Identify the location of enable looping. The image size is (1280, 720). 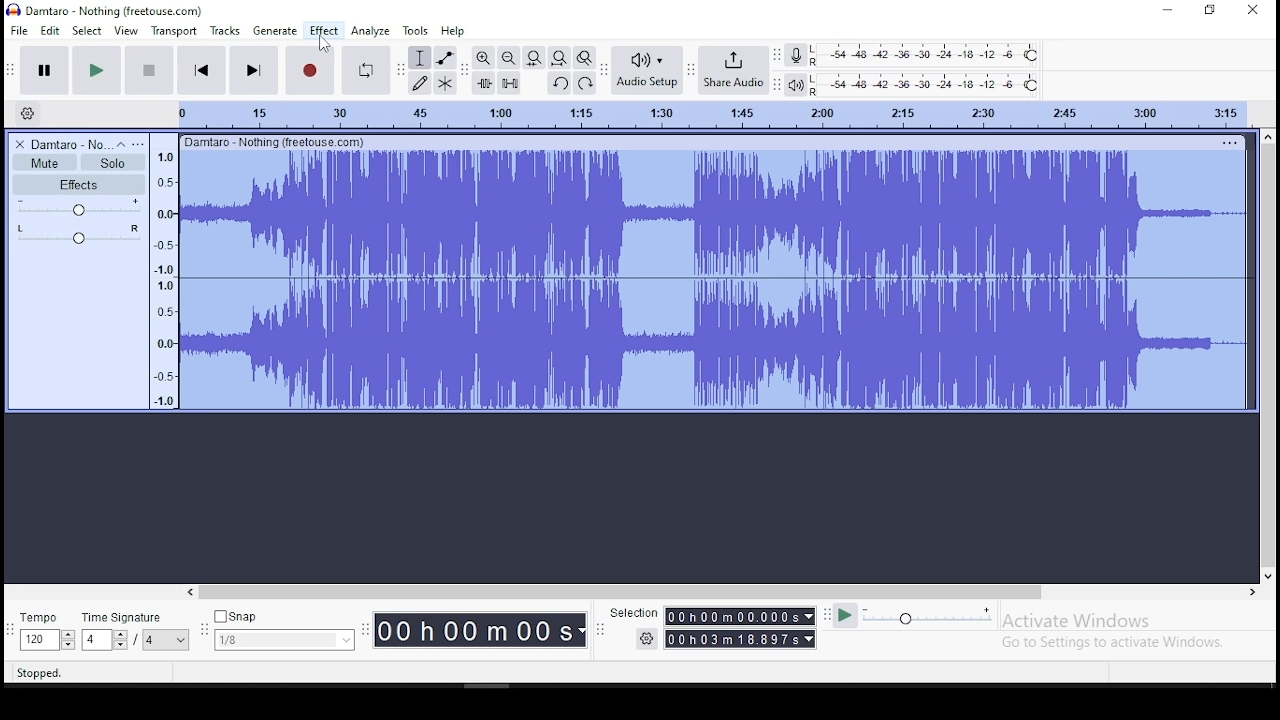
(366, 71).